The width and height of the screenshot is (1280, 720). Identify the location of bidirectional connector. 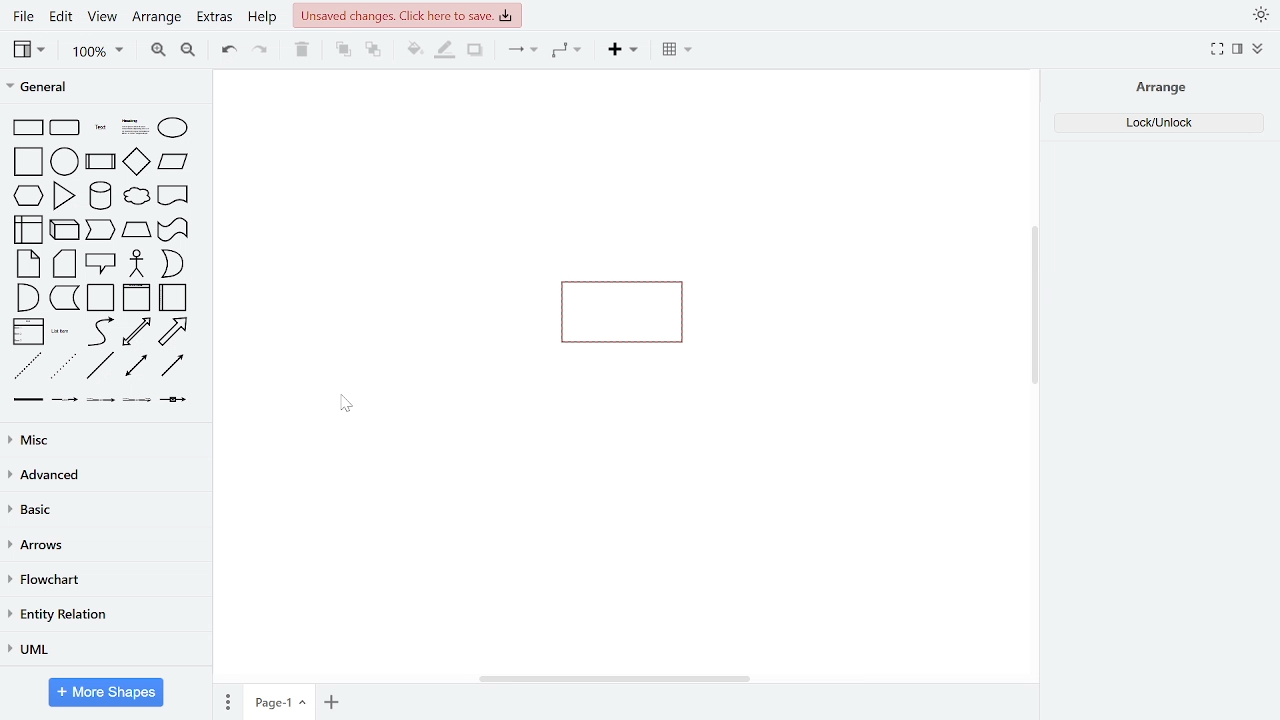
(134, 366).